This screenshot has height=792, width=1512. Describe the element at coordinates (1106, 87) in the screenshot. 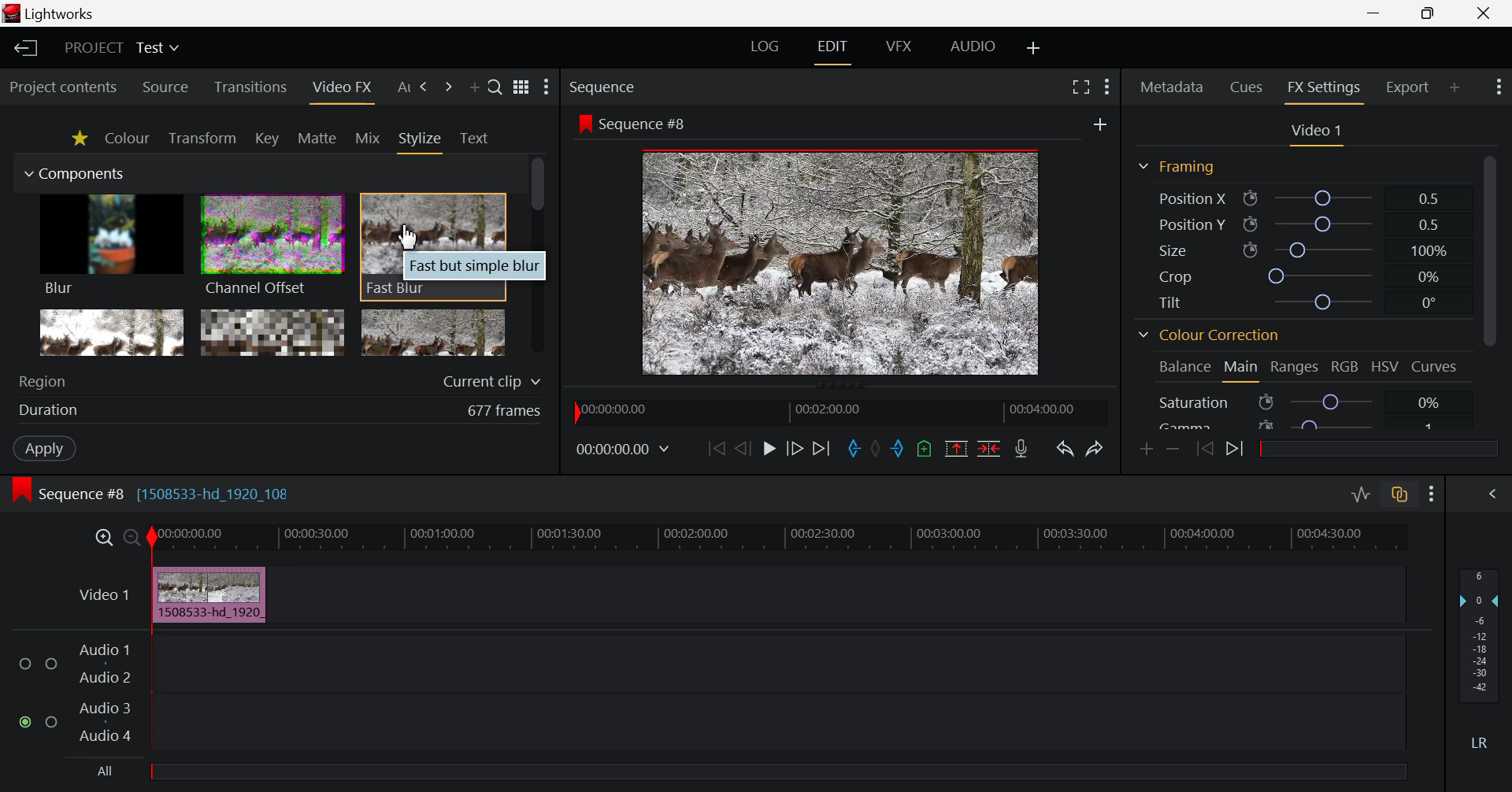

I see `Show Settings` at that location.